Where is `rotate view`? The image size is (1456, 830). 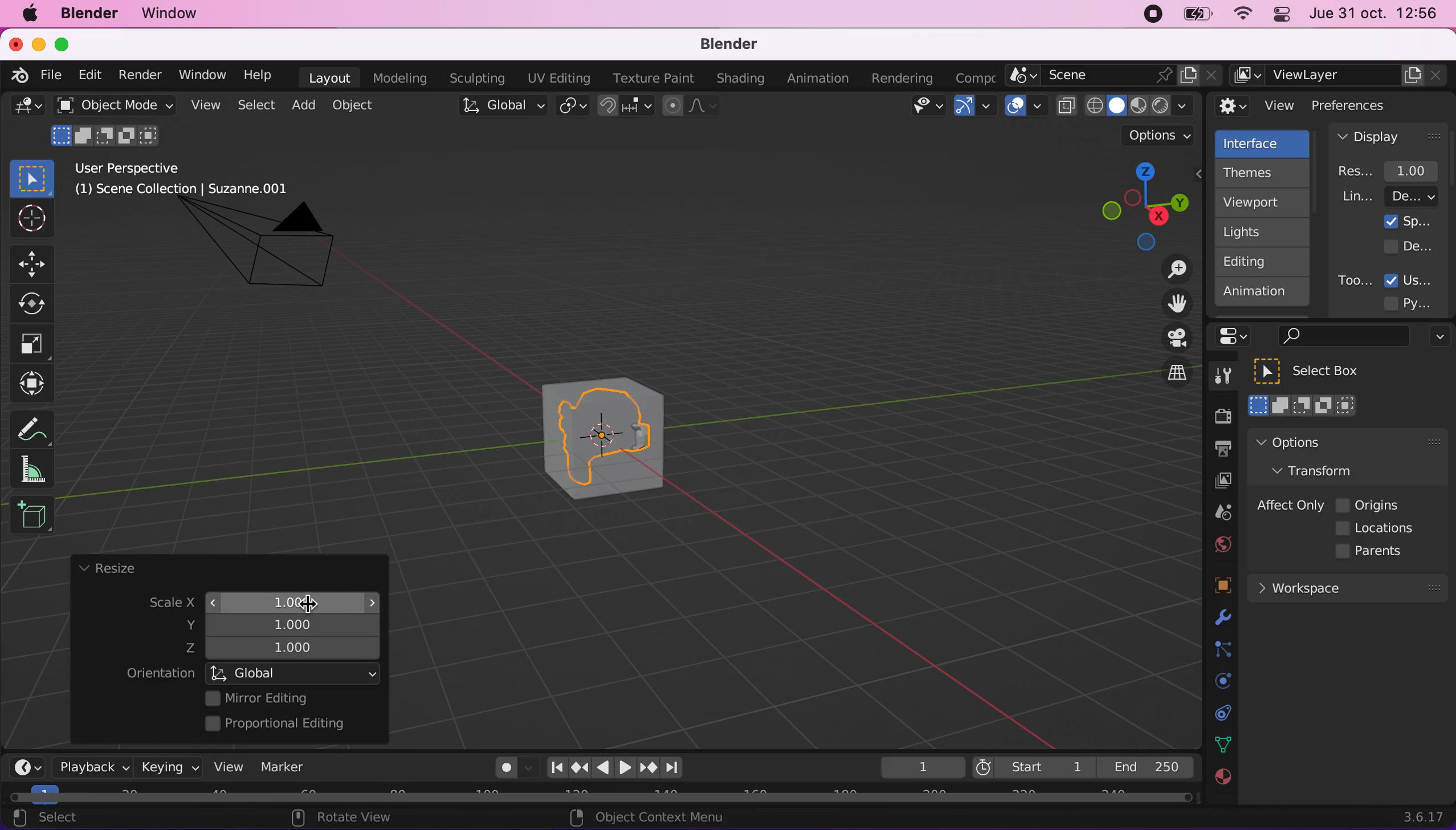 rotate view is located at coordinates (353, 819).